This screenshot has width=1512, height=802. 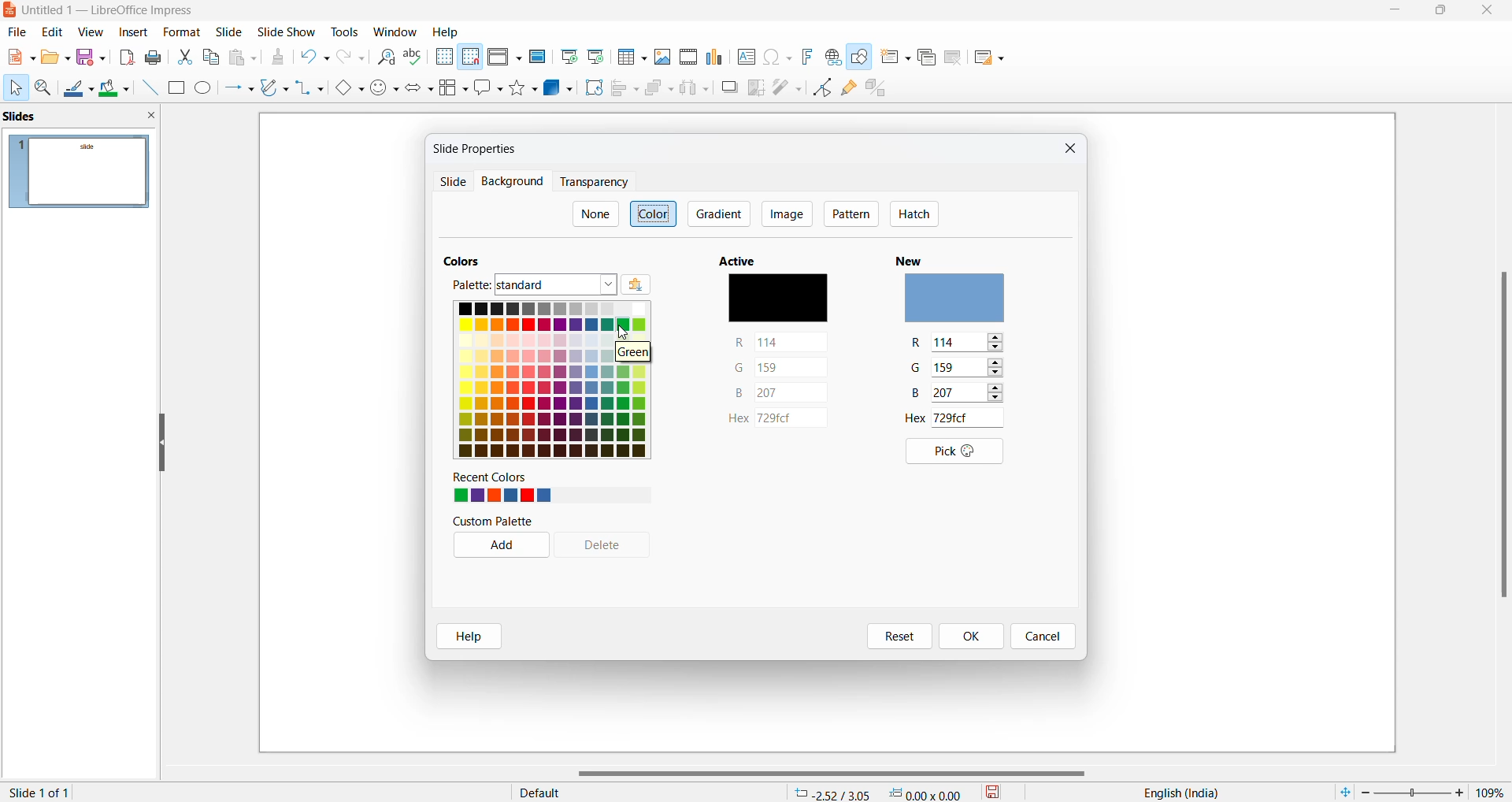 I want to click on insert fontwork text, so click(x=806, y=56).